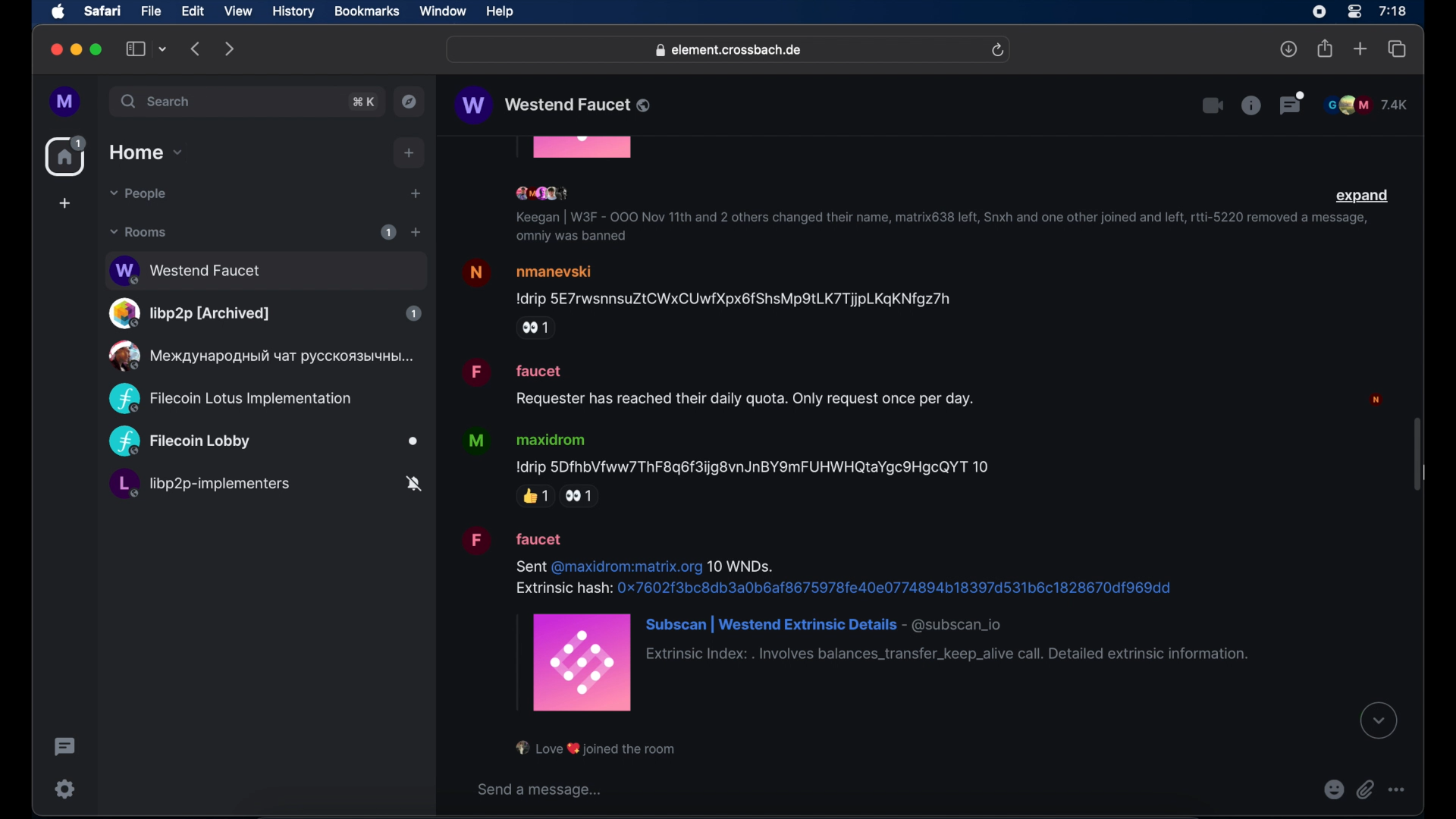  Describe the element at coordinates (708, 282) in the screenshot. I see `message` at that location.